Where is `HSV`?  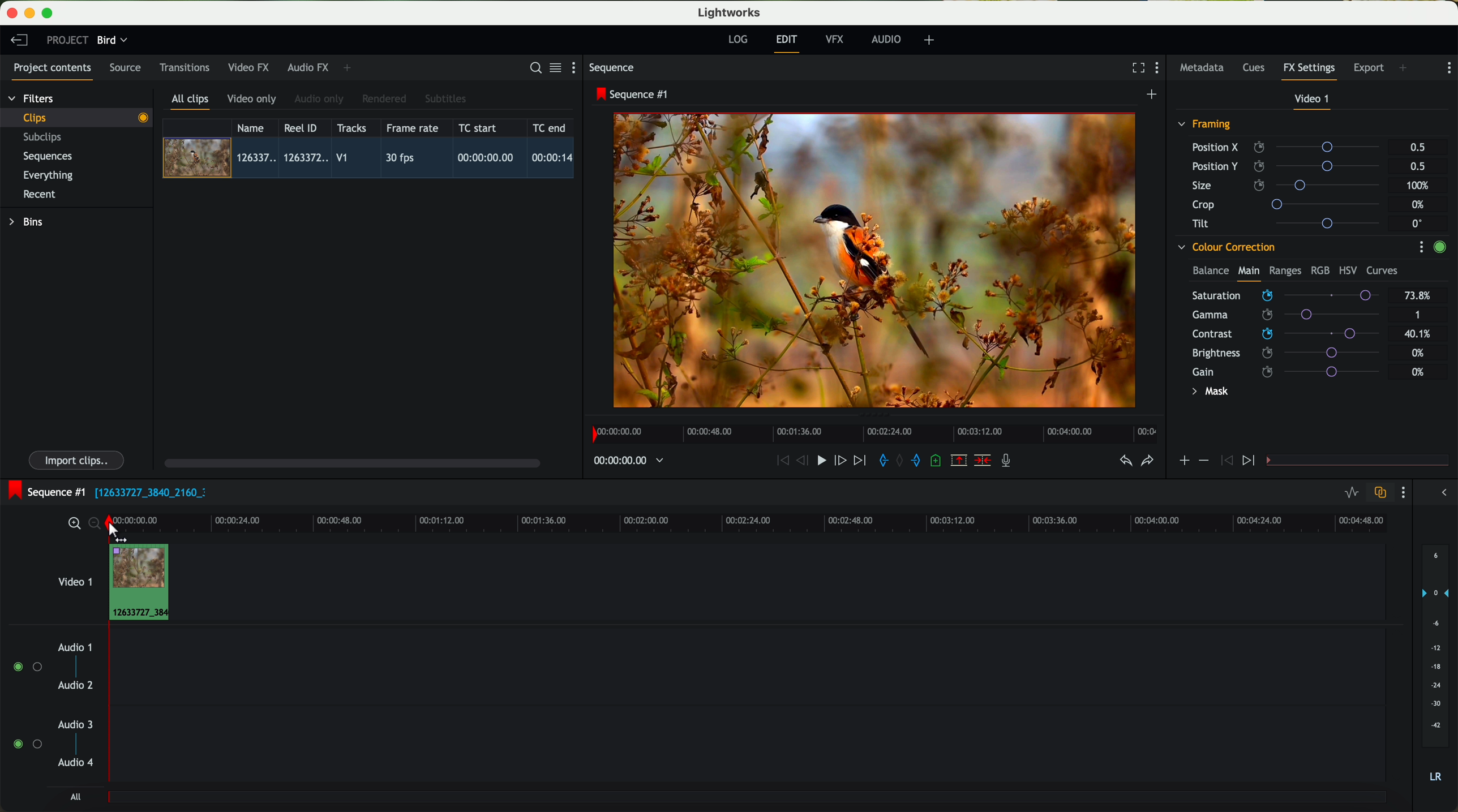
HSV is located at coordinates (1347, 270).